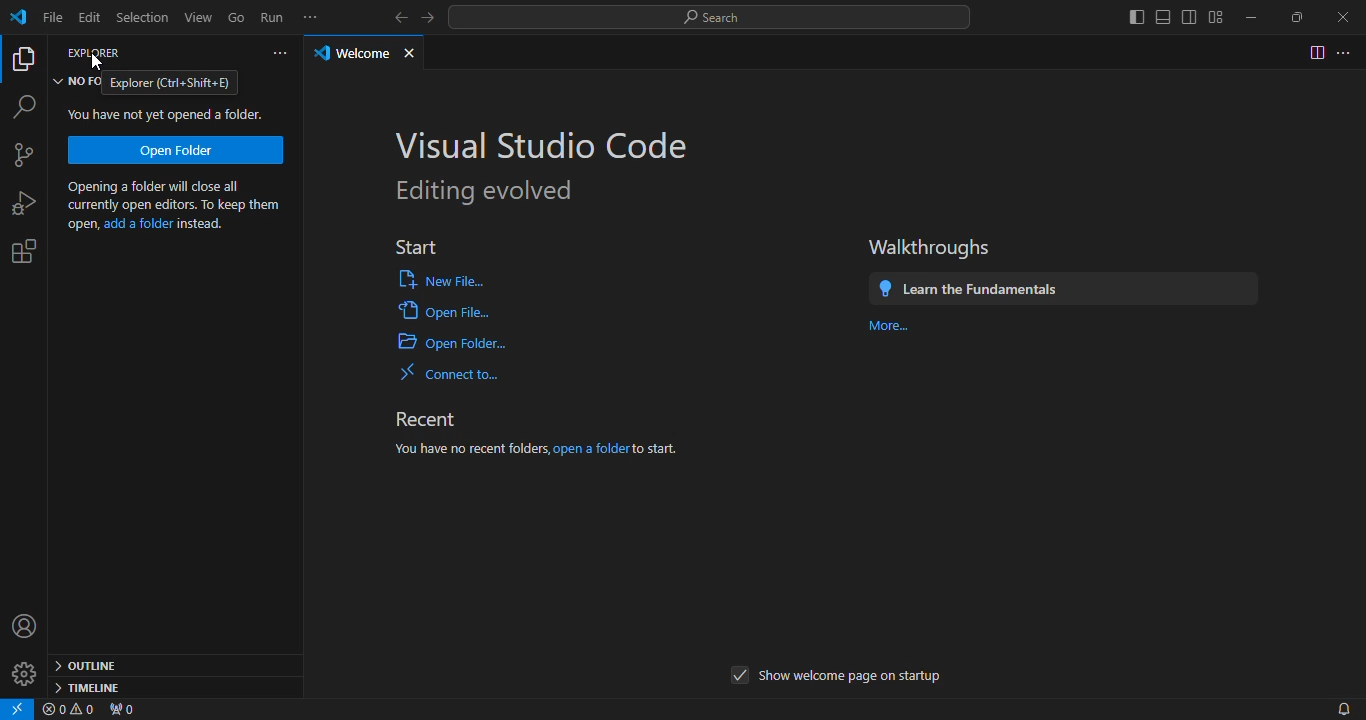 The image size is (1366, 720). I want to click on new project, so click(26, 157).